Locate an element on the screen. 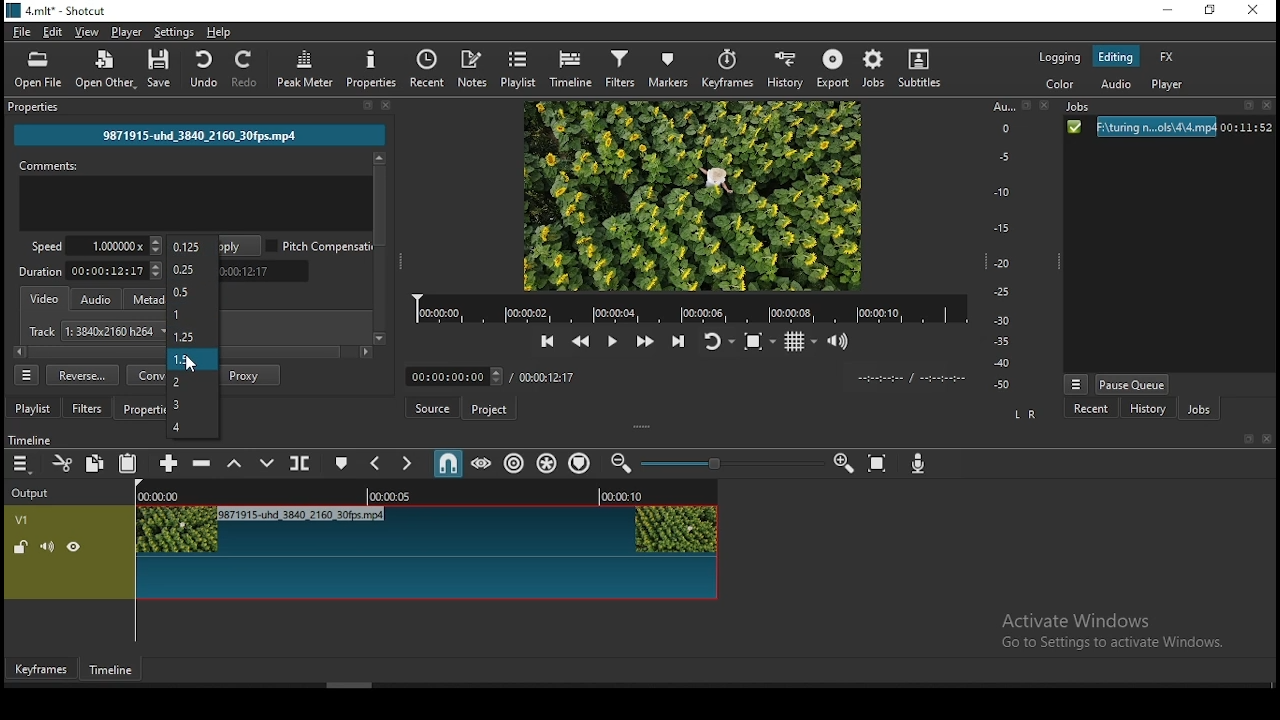  logging is located at coordinates (1060, 58).